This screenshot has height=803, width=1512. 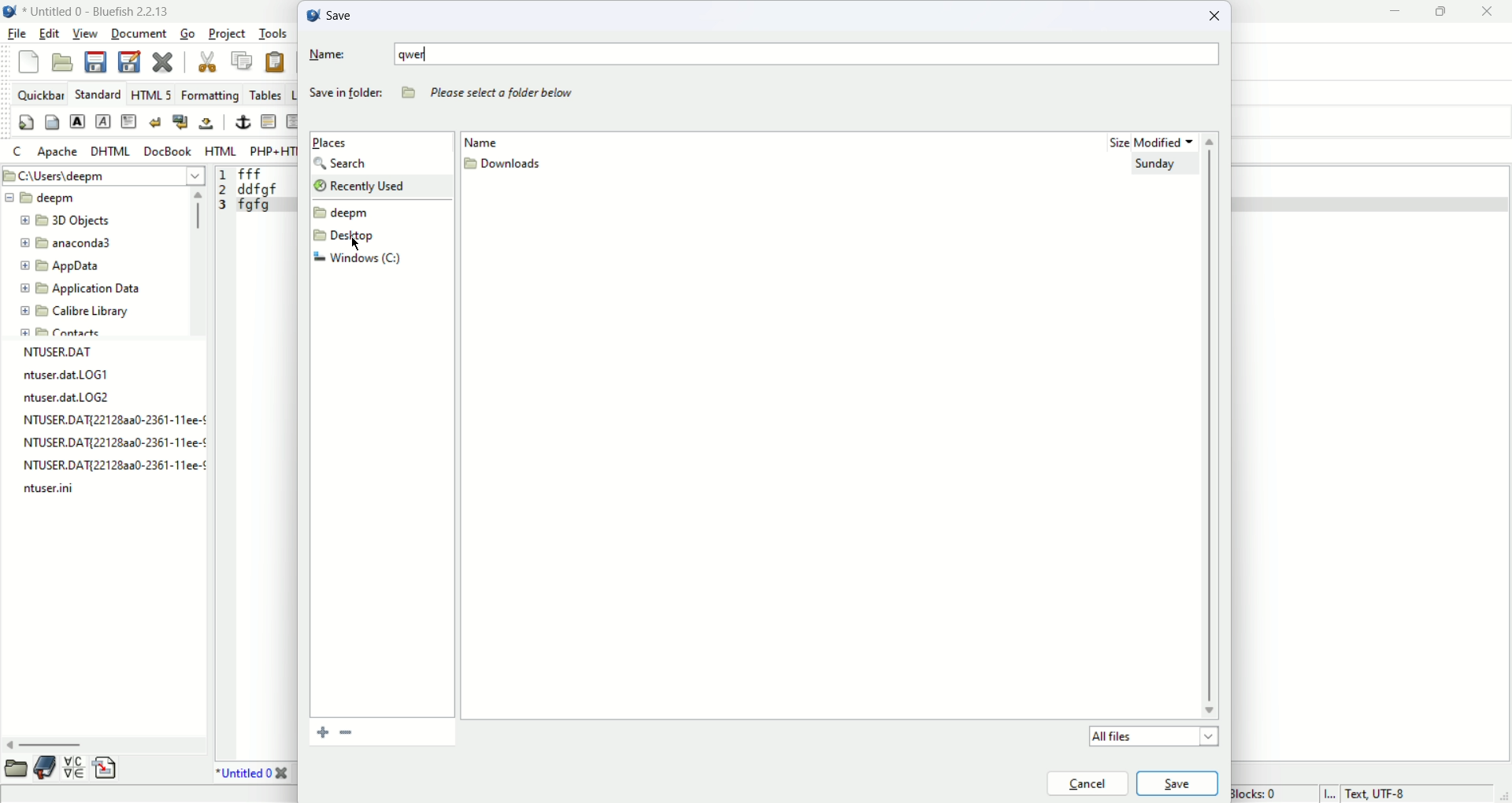 What do you see at coordinates (187, 34) in the screenshot?
I see `go` at bounding box center [187, 34].